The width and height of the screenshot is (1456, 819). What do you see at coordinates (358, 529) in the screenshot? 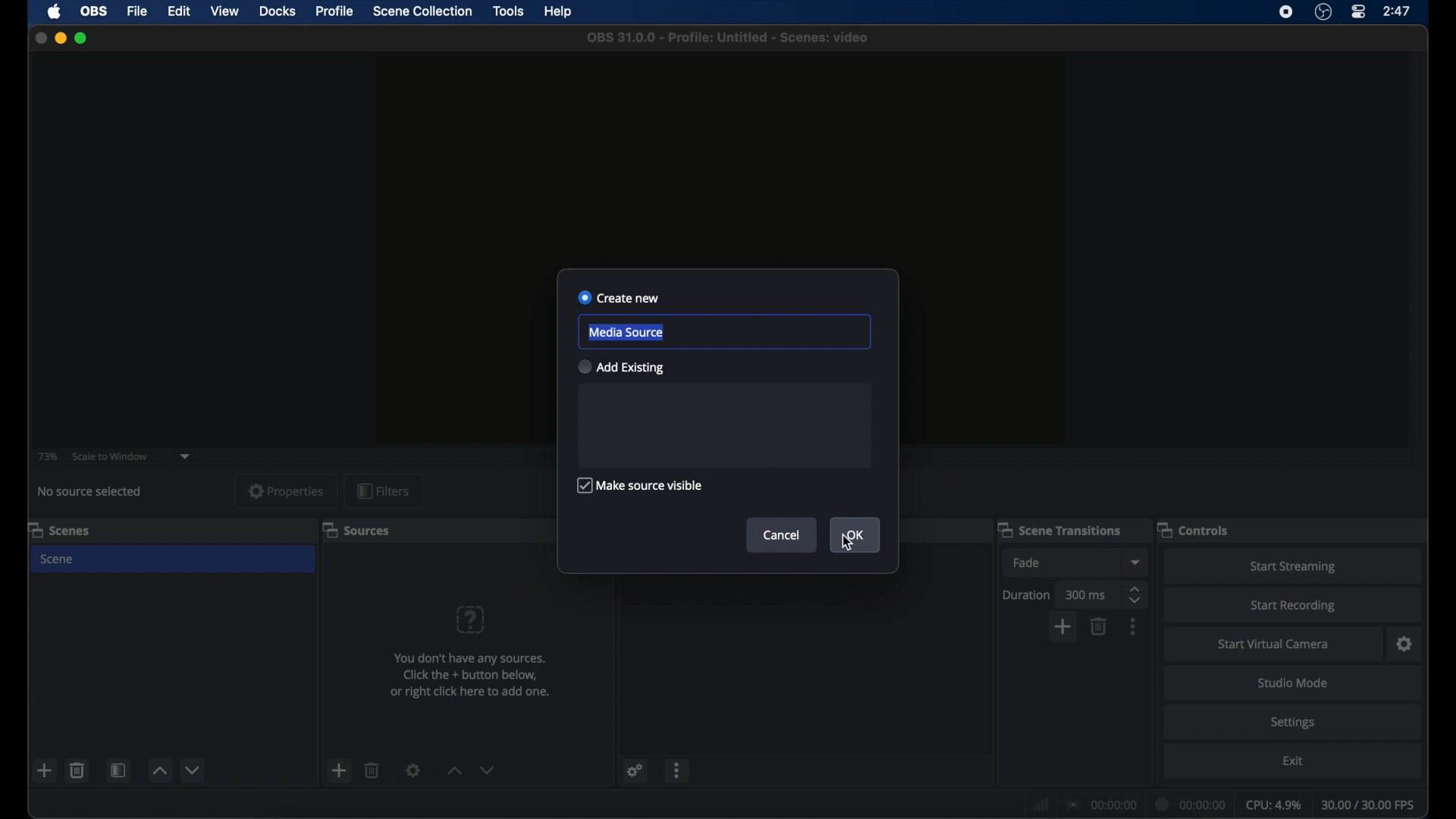
I see `sources` at bounding box center [358, 529].